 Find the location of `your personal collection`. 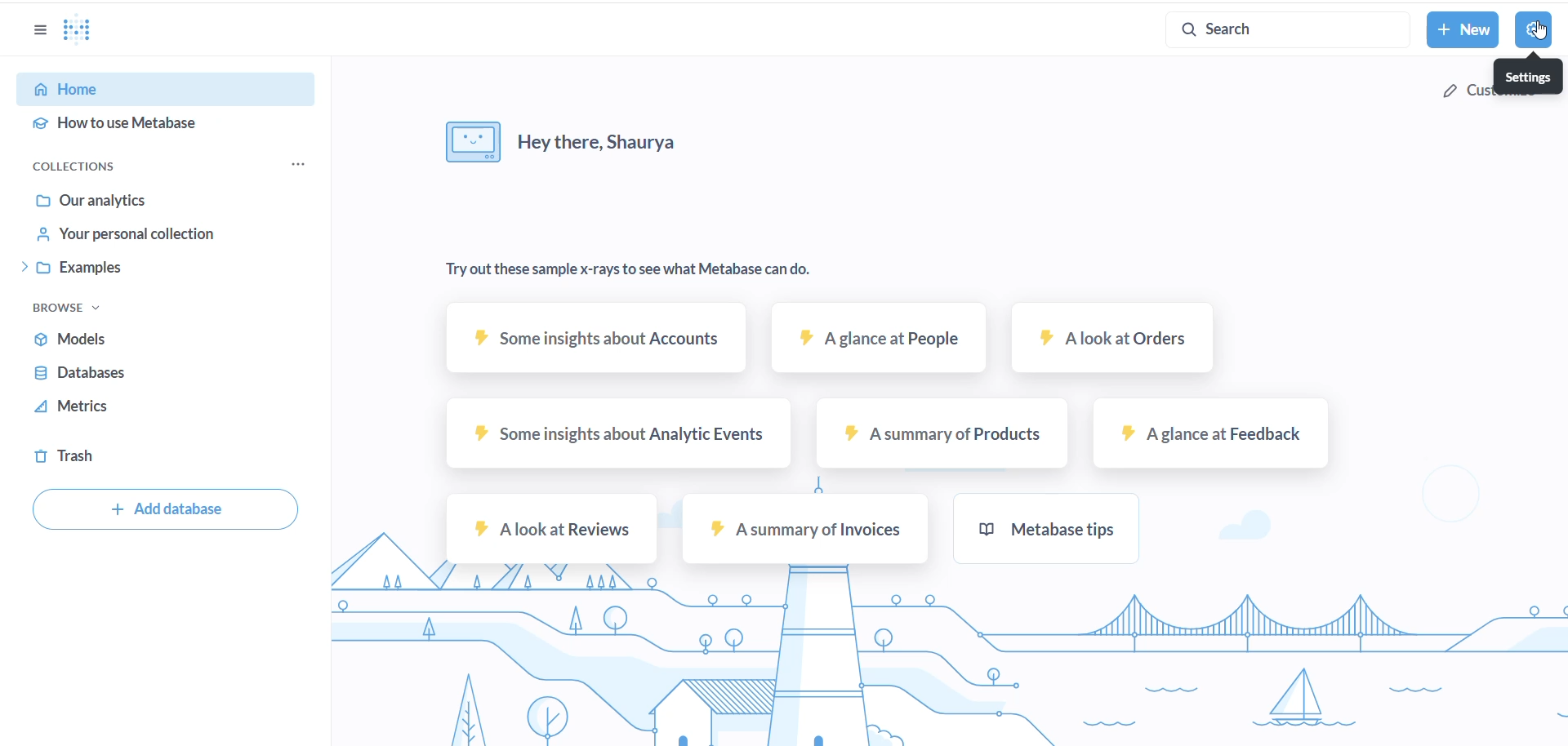

your personal collection is located at coordinates (163, 238).